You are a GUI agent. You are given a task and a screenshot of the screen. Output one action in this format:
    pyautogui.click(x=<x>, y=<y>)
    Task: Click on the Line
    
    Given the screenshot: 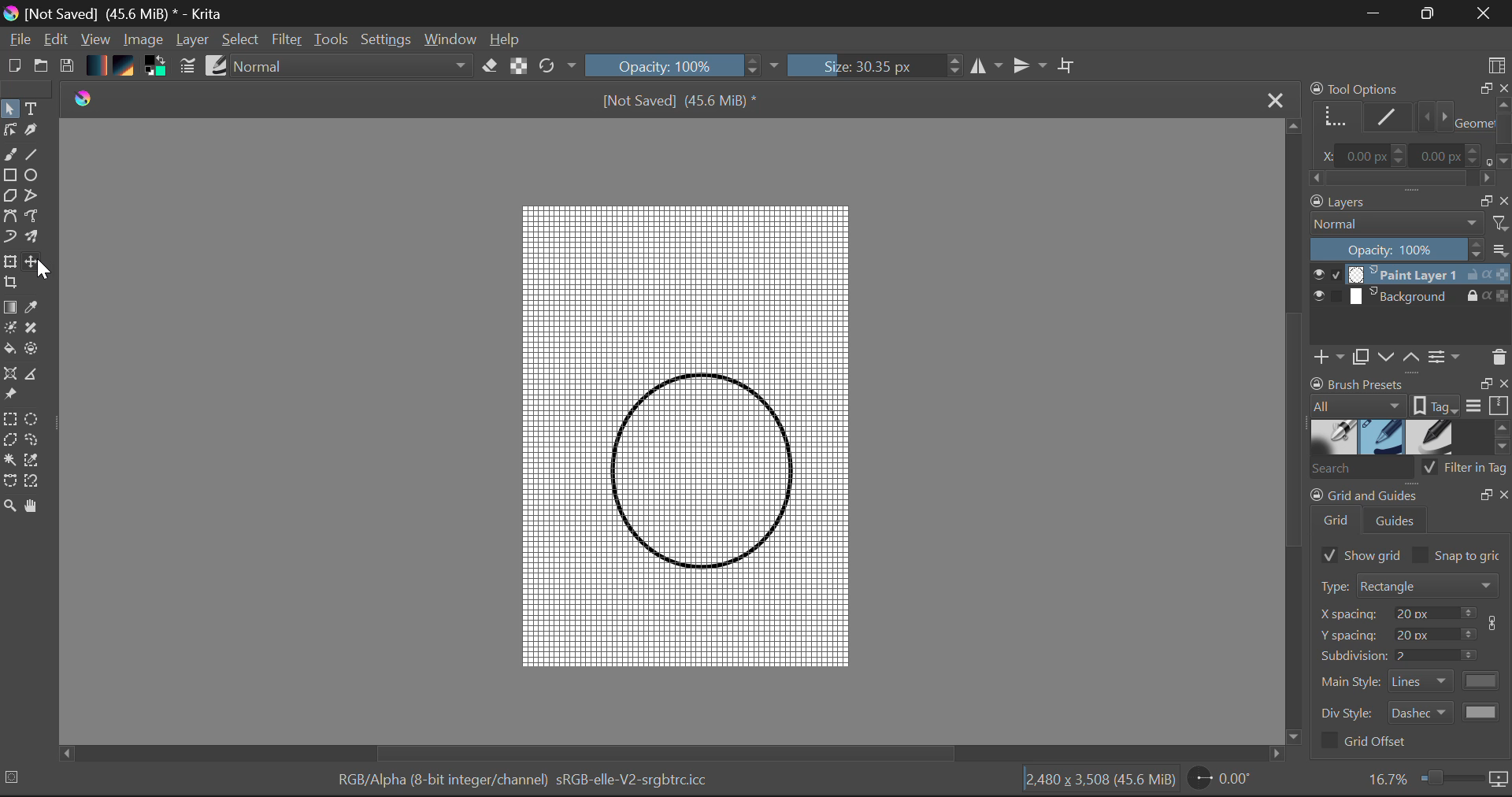 What is the action you would take?
    pyautogui.click(x=34, y=154)
    